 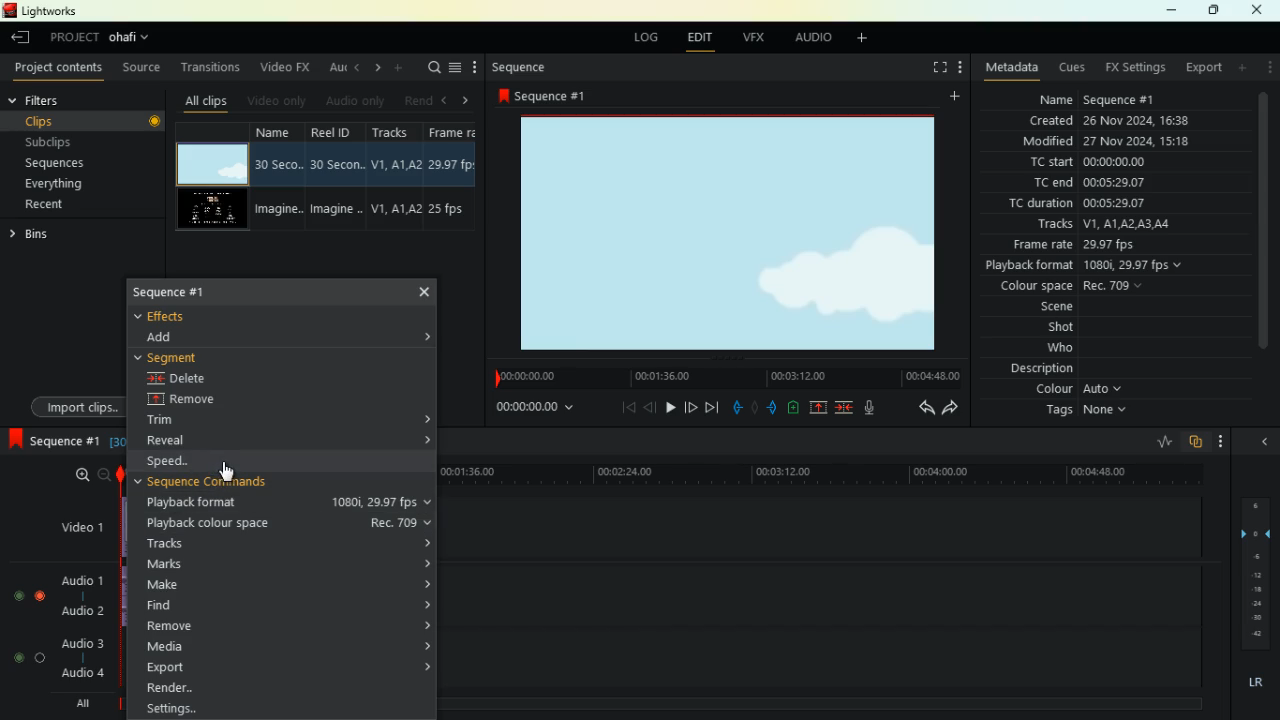 I want to click on overlap, so click(x=1194, y=442).